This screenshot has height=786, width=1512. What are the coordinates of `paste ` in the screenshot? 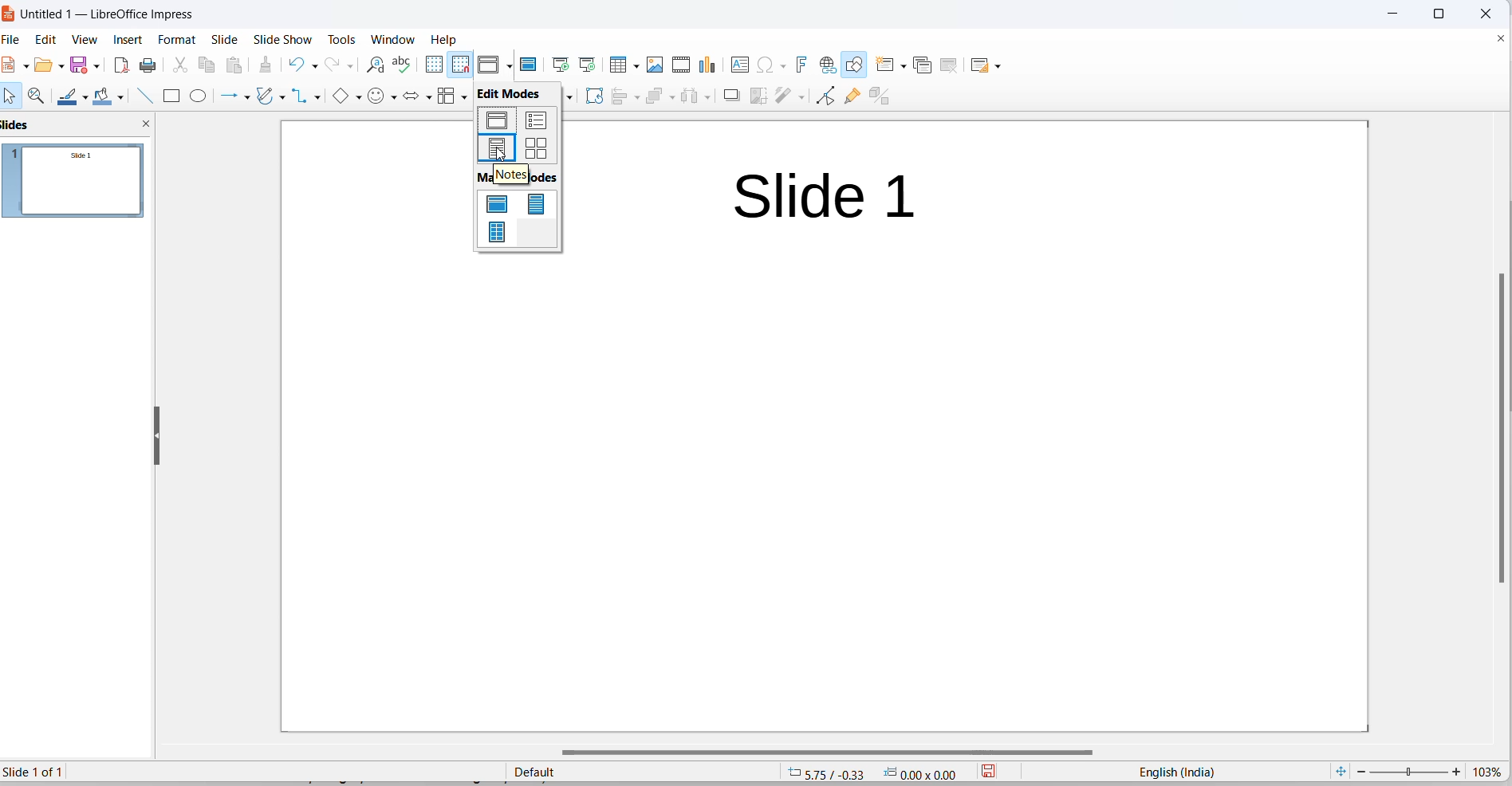 It's located at (238, 65).